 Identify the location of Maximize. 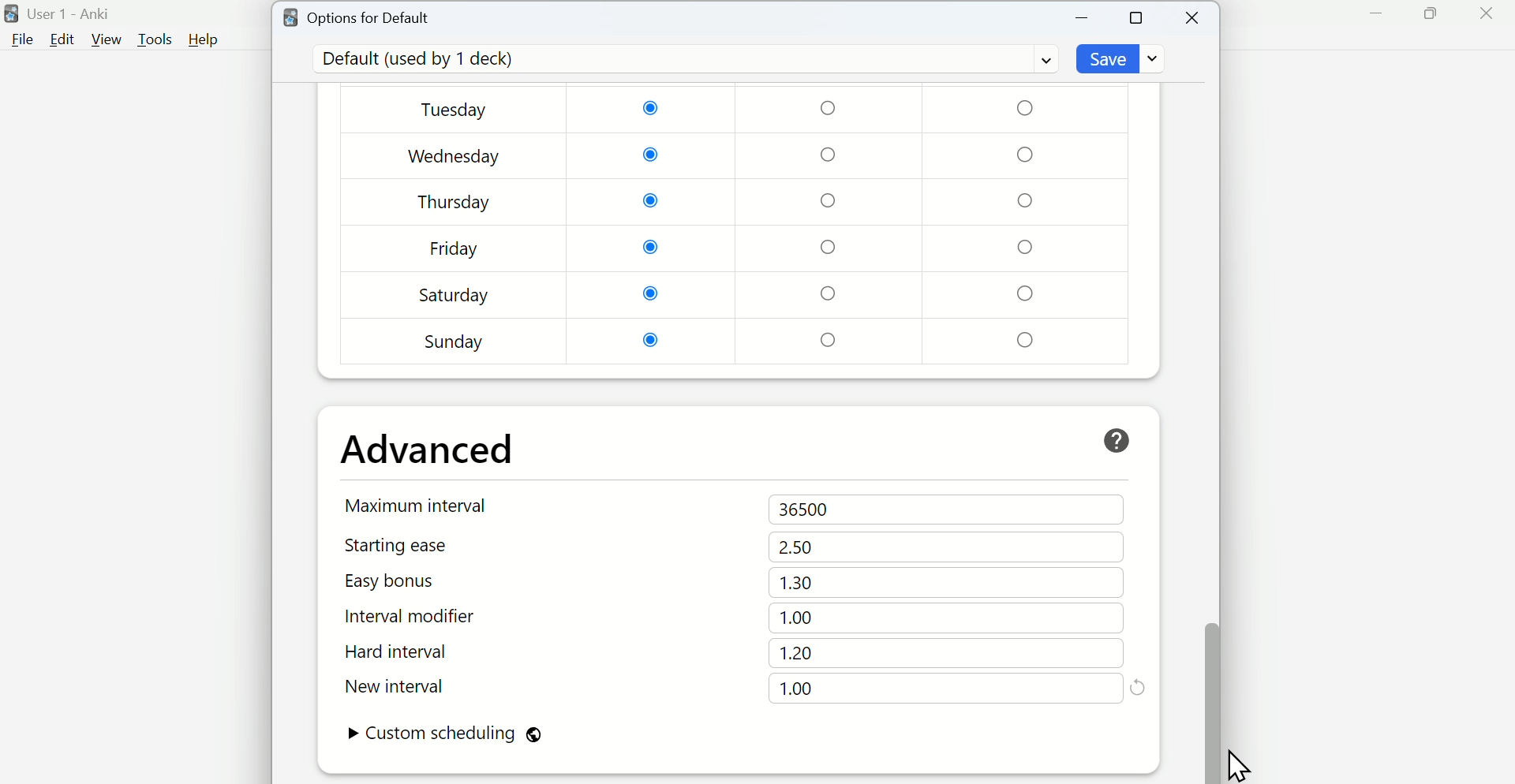
(1430, 14).